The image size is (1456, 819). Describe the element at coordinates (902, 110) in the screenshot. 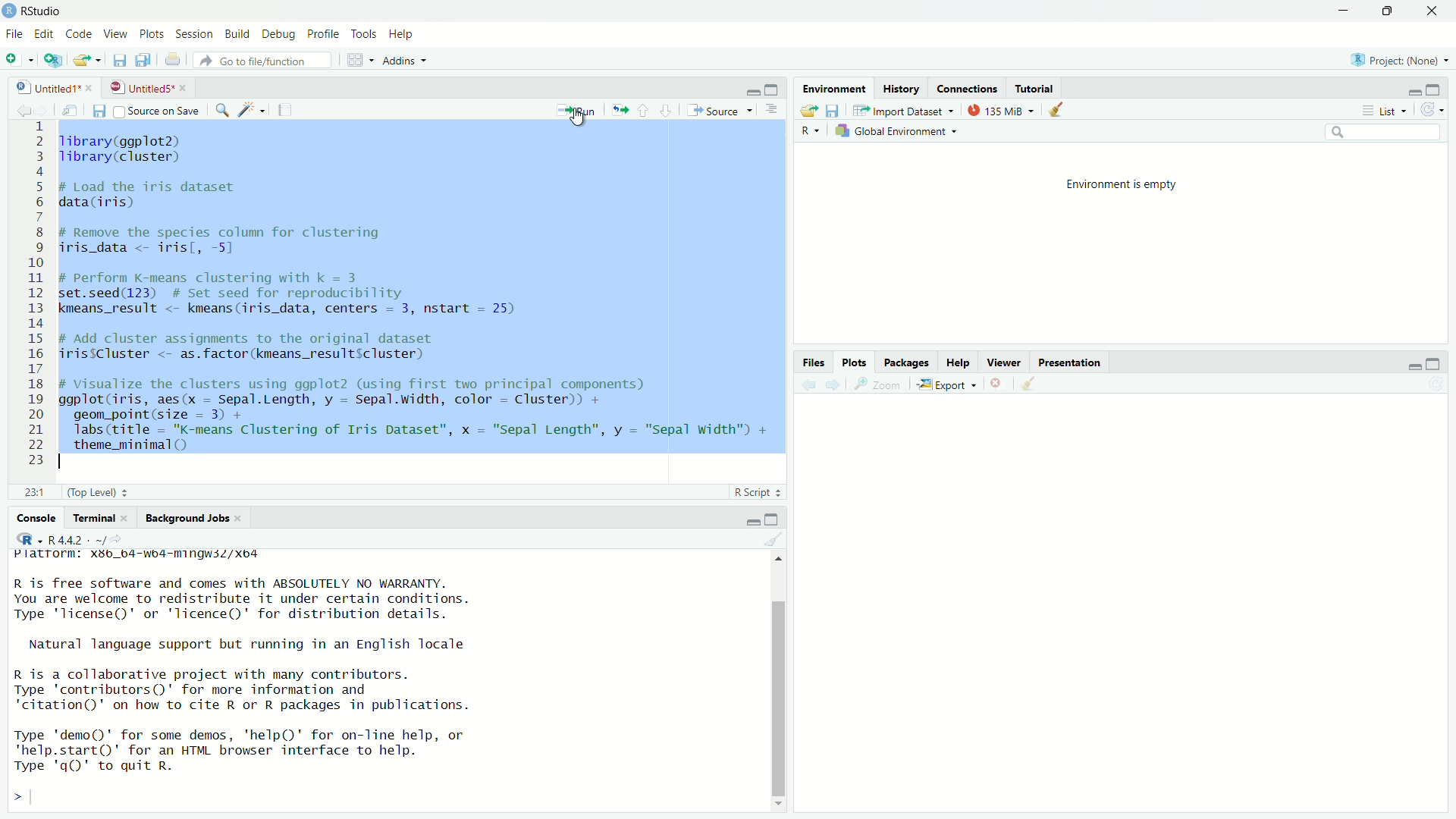

I see `import dataset` at that location.